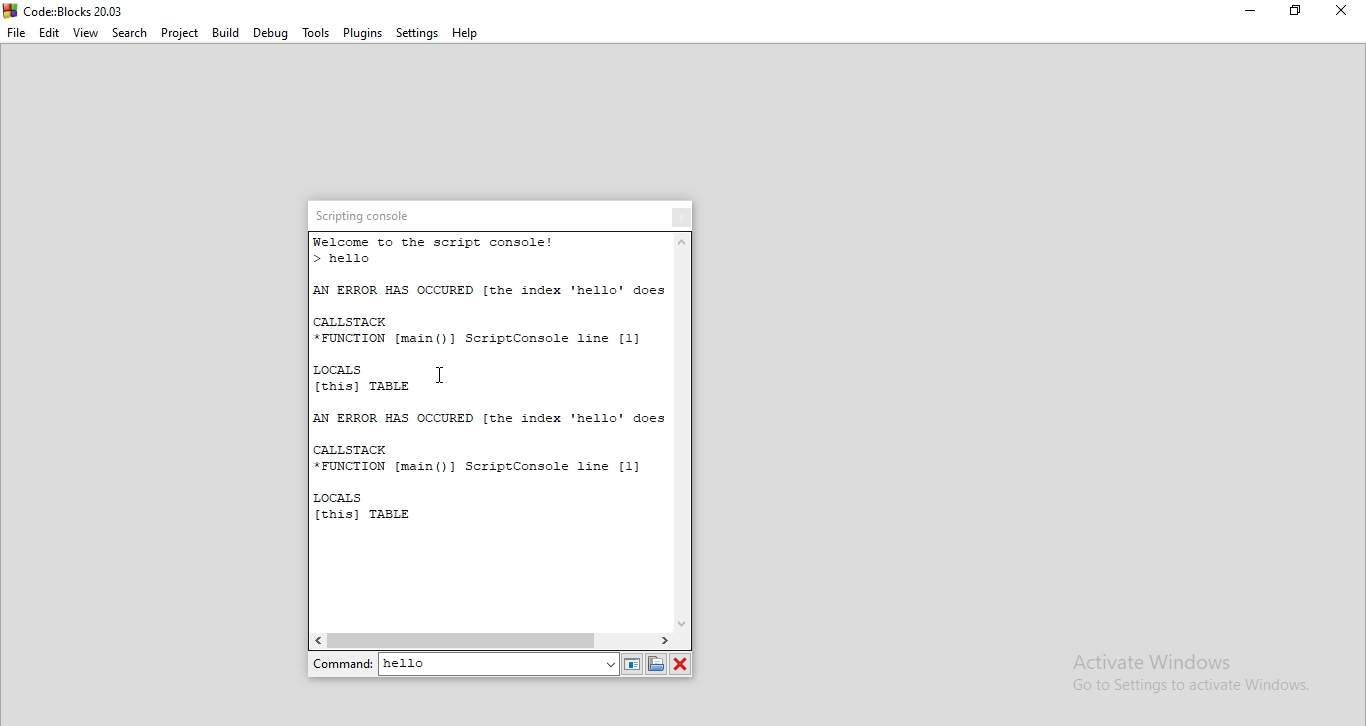 The image size is (1366, 726). I want to click on Plugins , so click(363, 33).